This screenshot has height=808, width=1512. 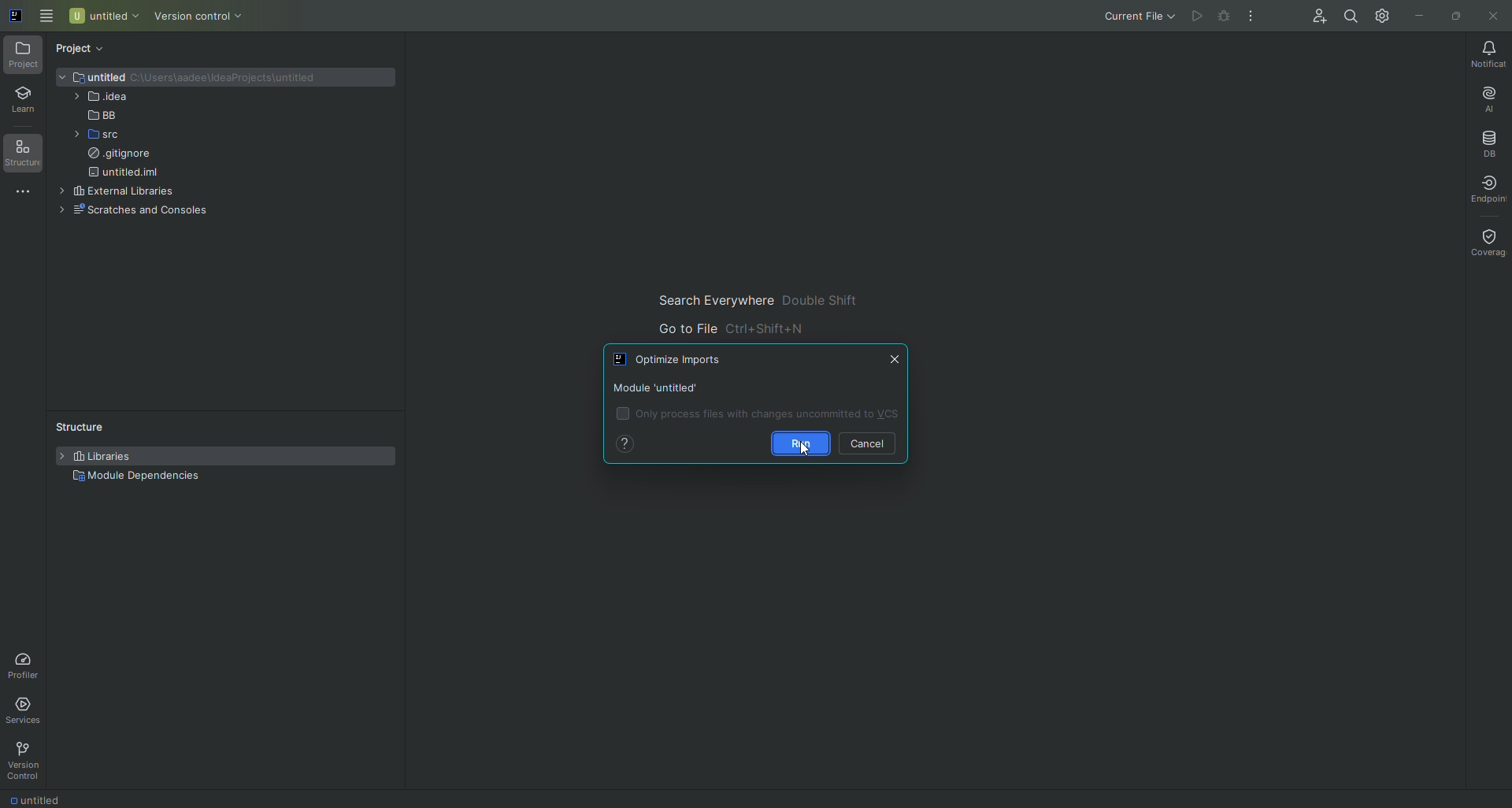 What do you see at coordinates (75, 424) in the screenshot?
I see `Structure` at bounding box center [75, 424].